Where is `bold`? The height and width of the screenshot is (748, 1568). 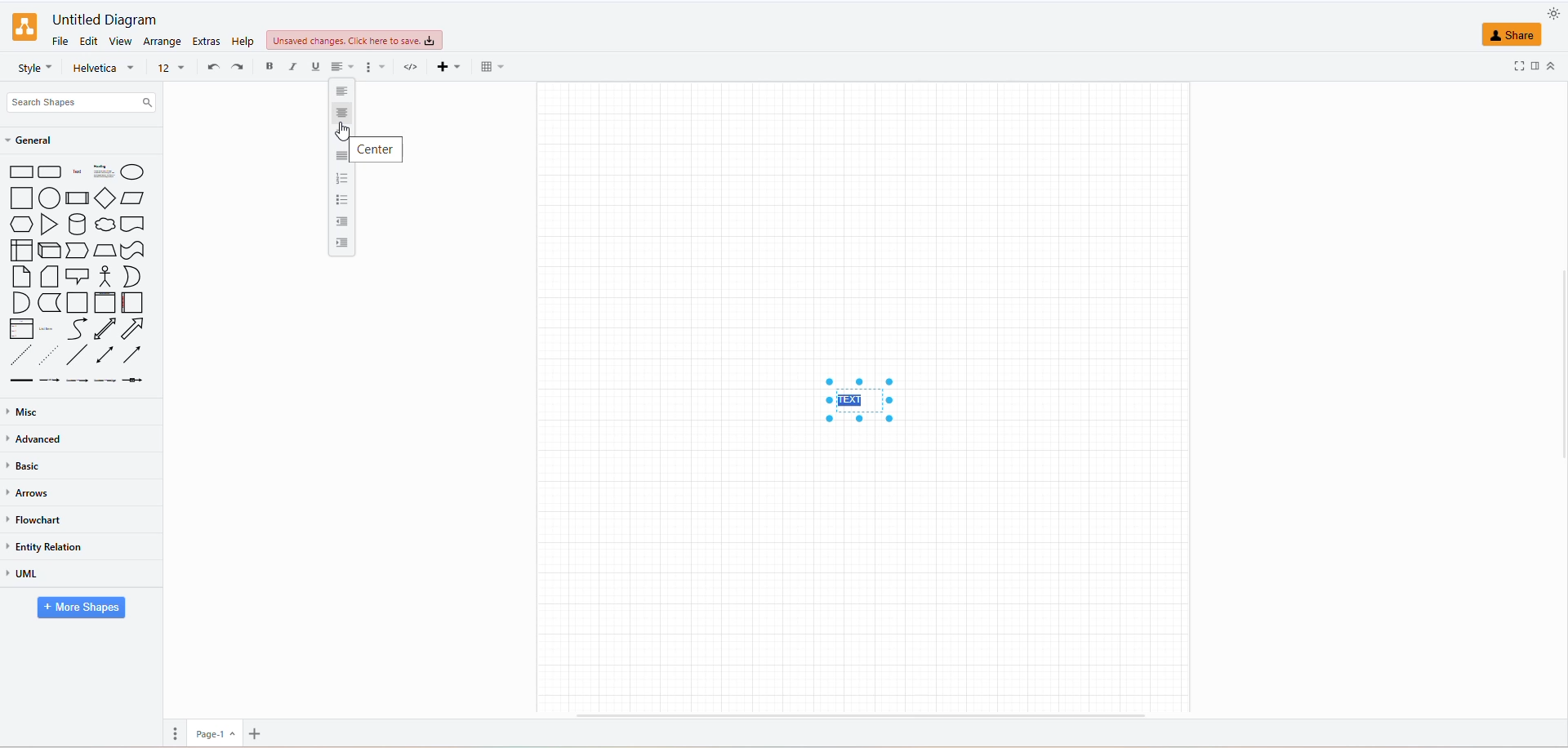 bold is located at coordinates (267, 68).